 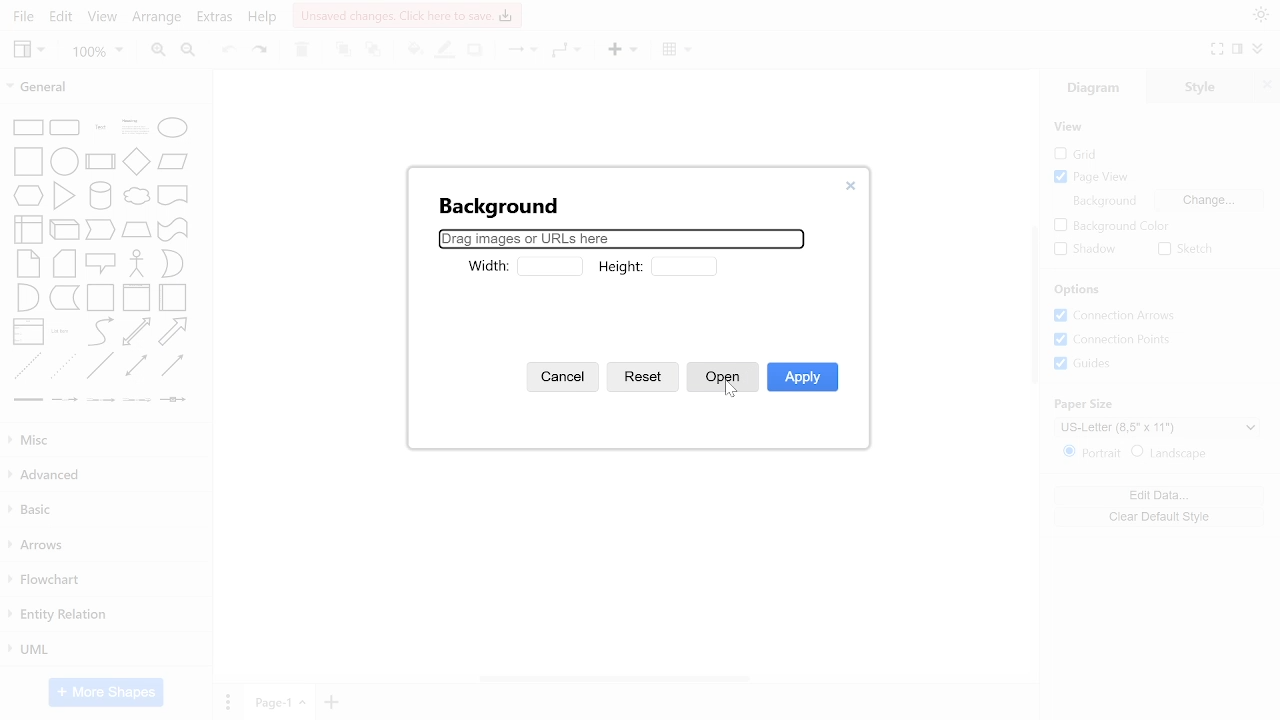 What do you see at coordinates (685, 264) in the screenshot?
I see `height range box` at bounding box center [685, 264].